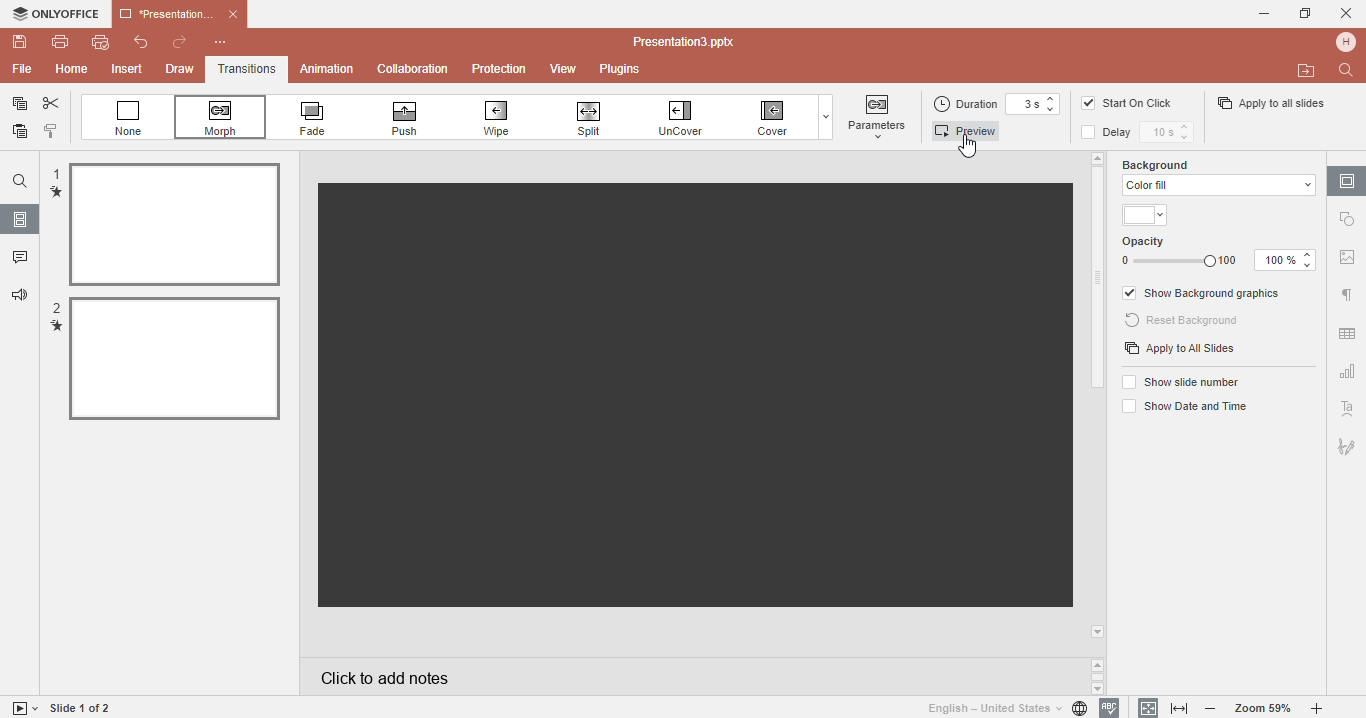 The width and height of the screenshot is (1366, 718). I want to click on Table setting, so click(1348, 330).